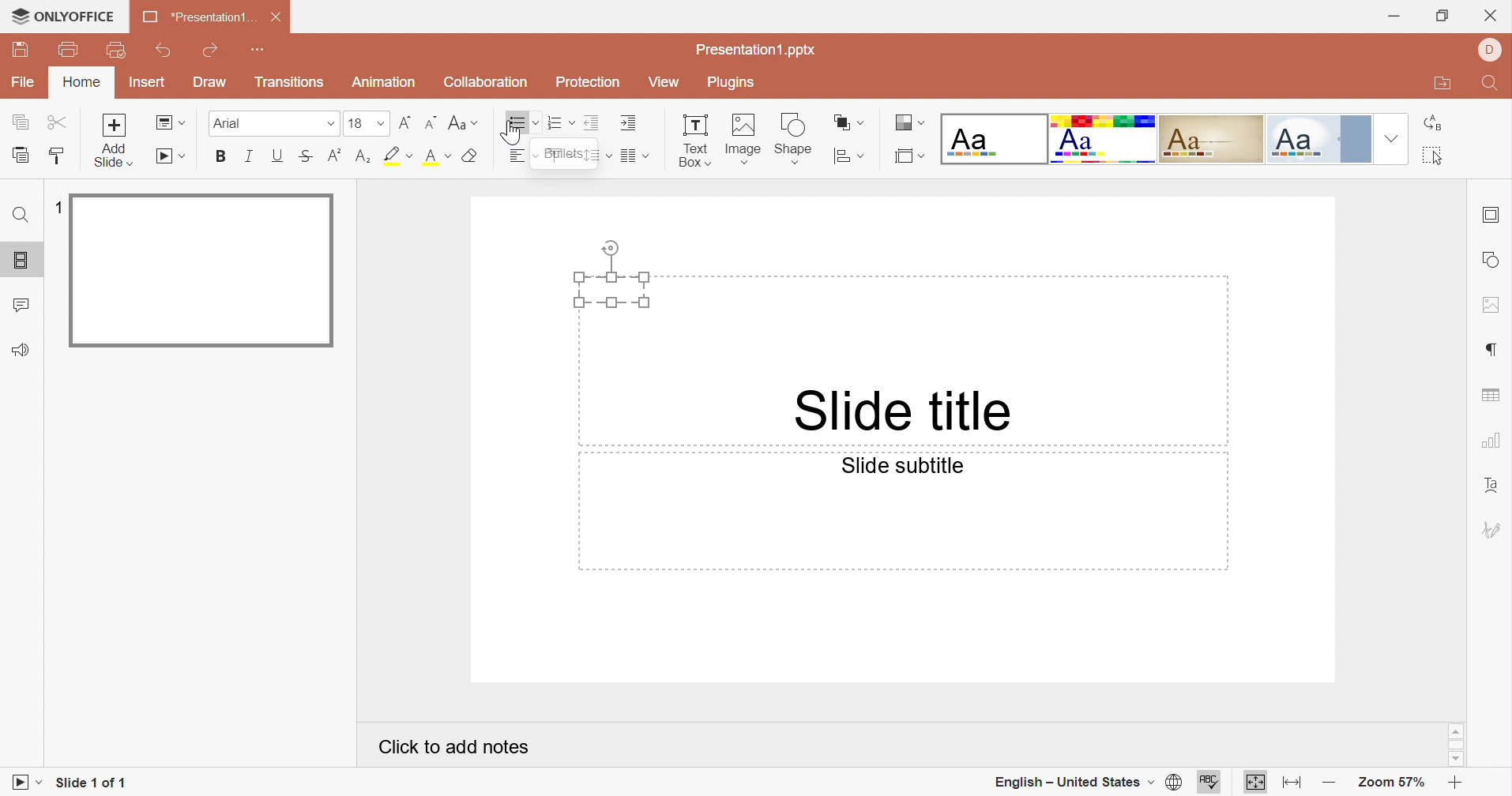  Describe the element at coordinates (454, 744) in the screenshot. I see `Click to add notes` at that location.